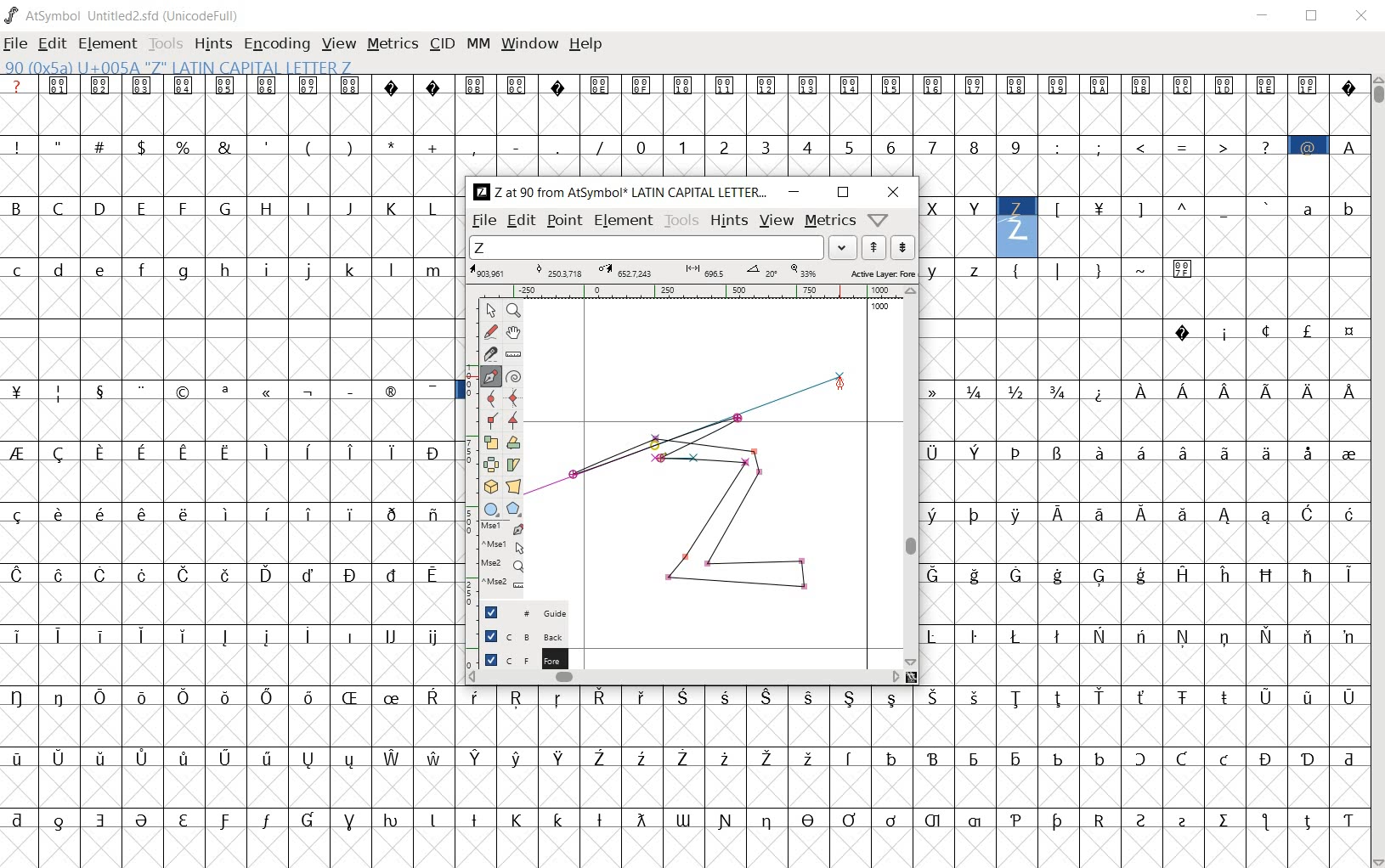 The width and height of the screenshot is (1385, 868). What do you see at coordinates (665, 247) in the screenshot?
I see `load word list` at bounding box center [665, 247].